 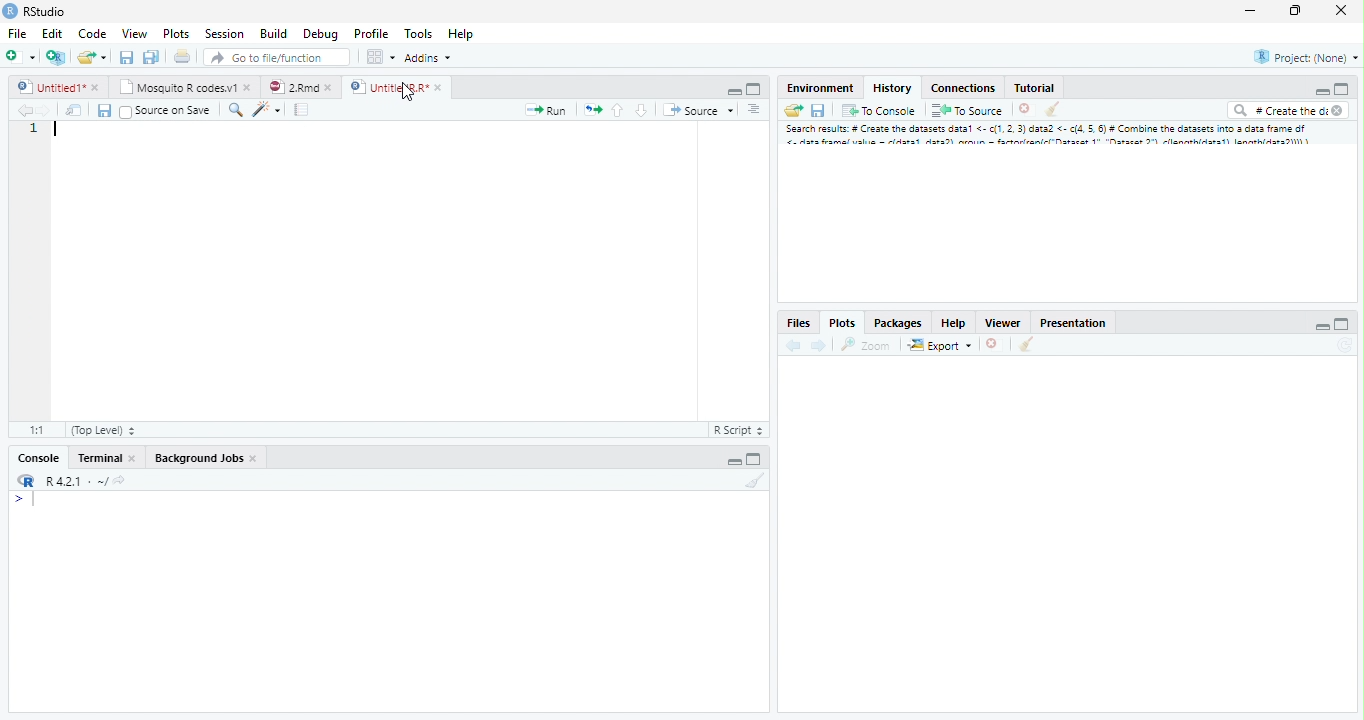 What do you see at coordinates (429, 59) in the screenshot?
I see `Addins` at bounding box center [429, 59].